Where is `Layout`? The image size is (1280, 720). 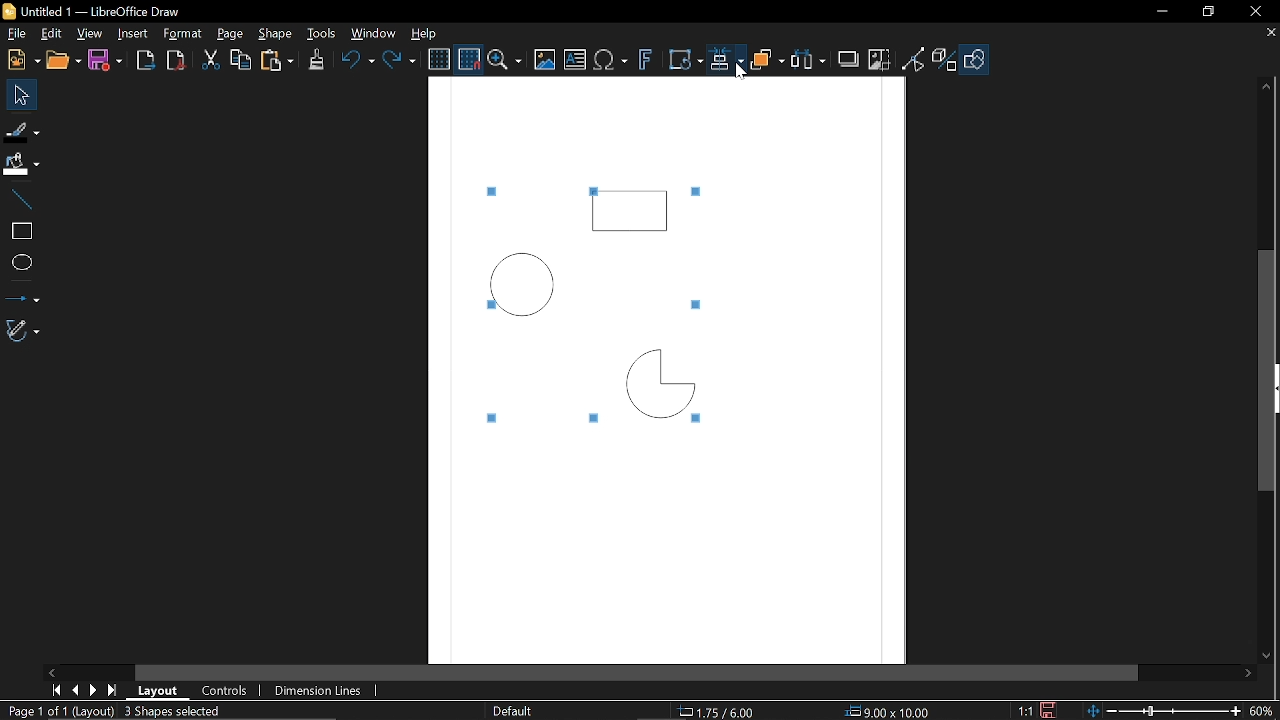
Layout is located at coordinates (156, 691).